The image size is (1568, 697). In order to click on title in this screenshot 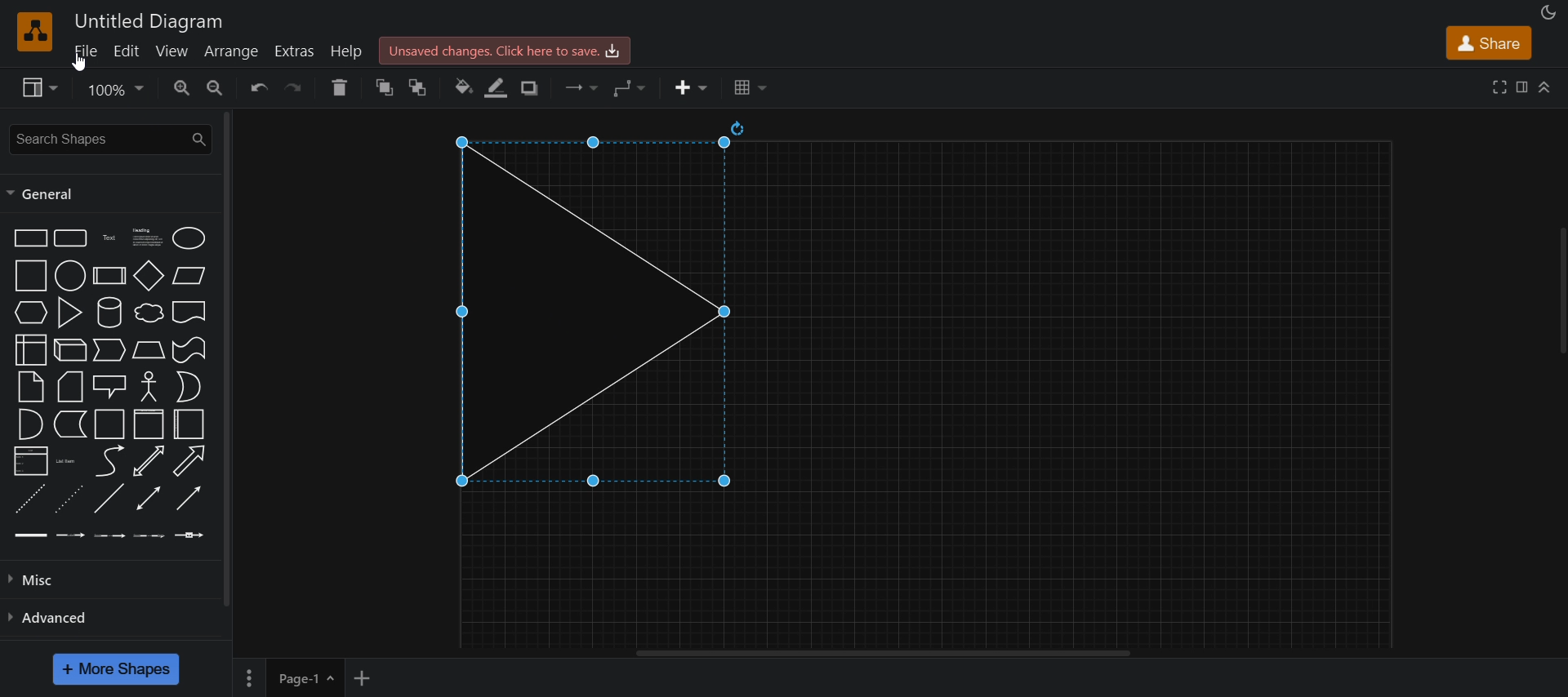, I will do `click(147, 21)`.